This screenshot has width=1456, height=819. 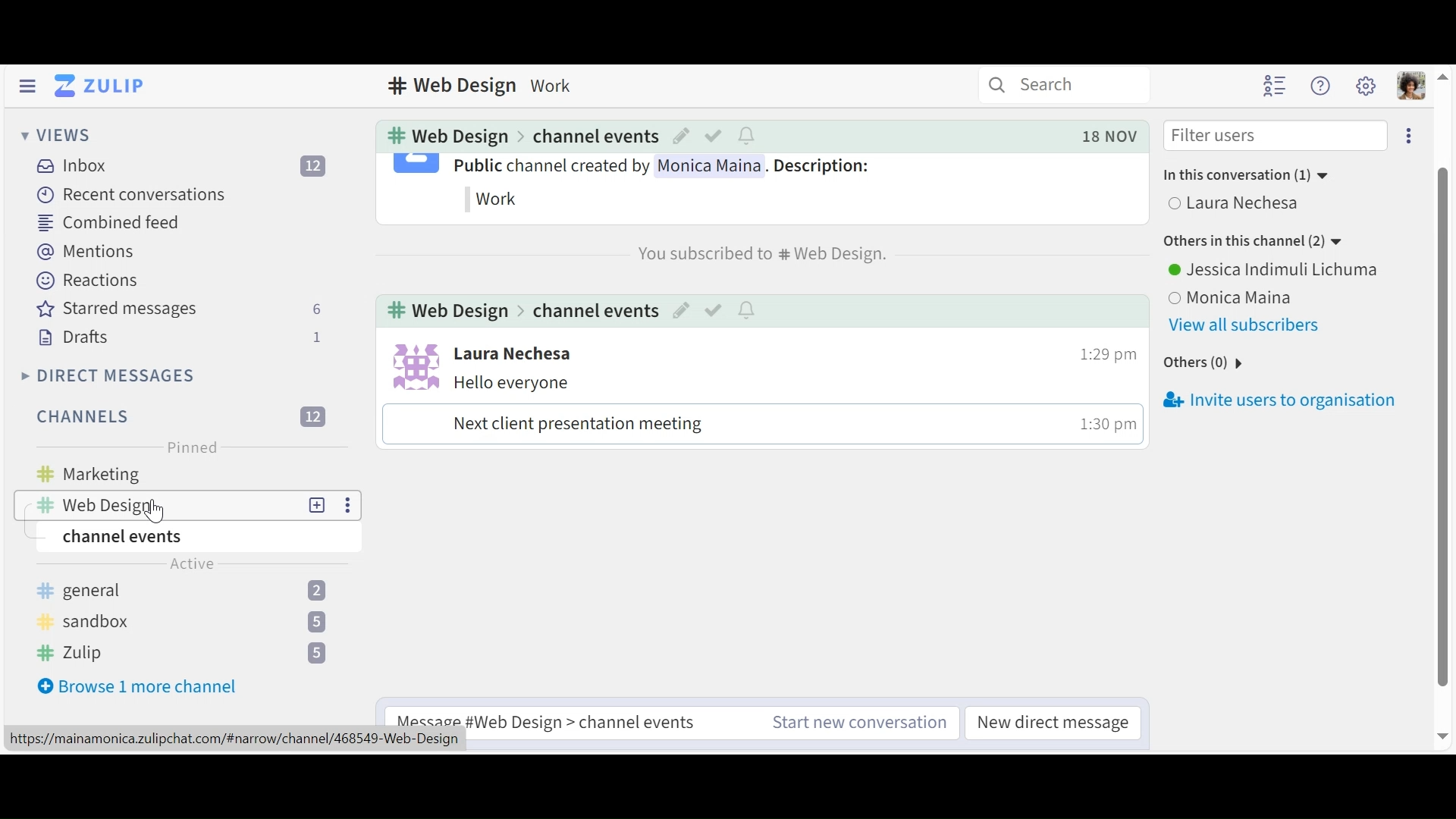 I want to click on # Web Design, so click(x=449, y=309).